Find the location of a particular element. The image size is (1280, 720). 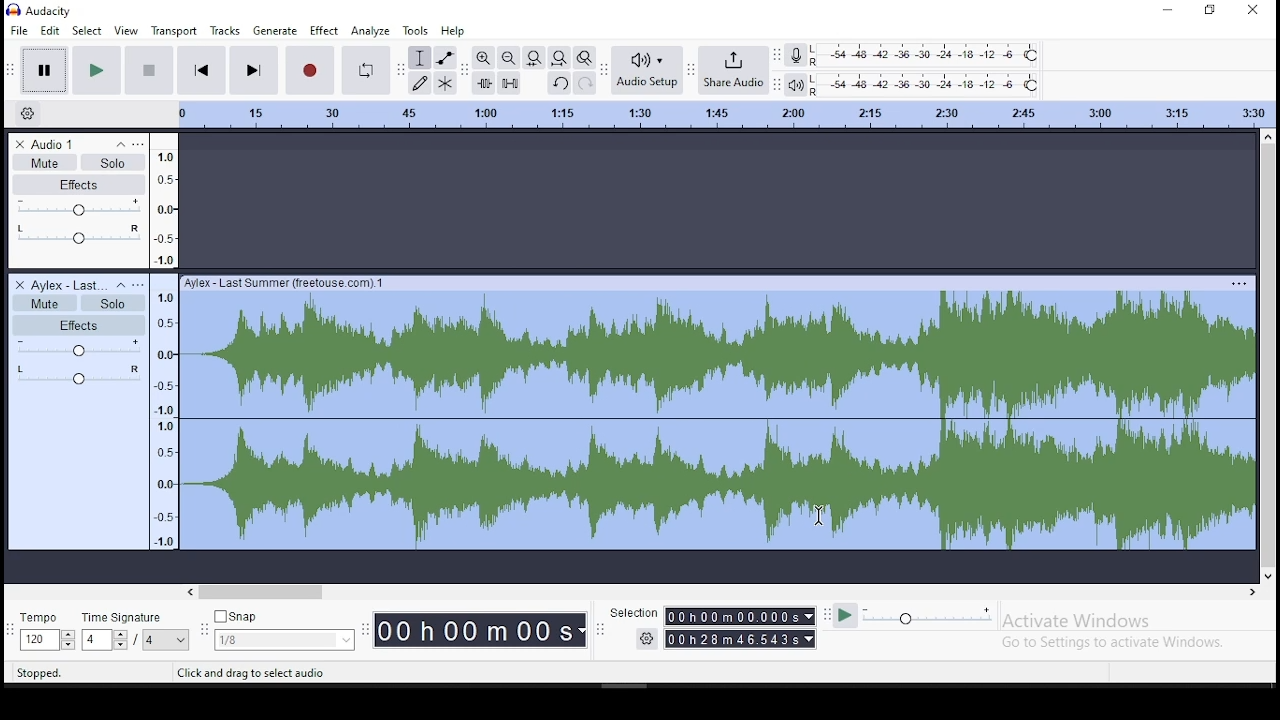

share audio is located at coordinates (730, 69).